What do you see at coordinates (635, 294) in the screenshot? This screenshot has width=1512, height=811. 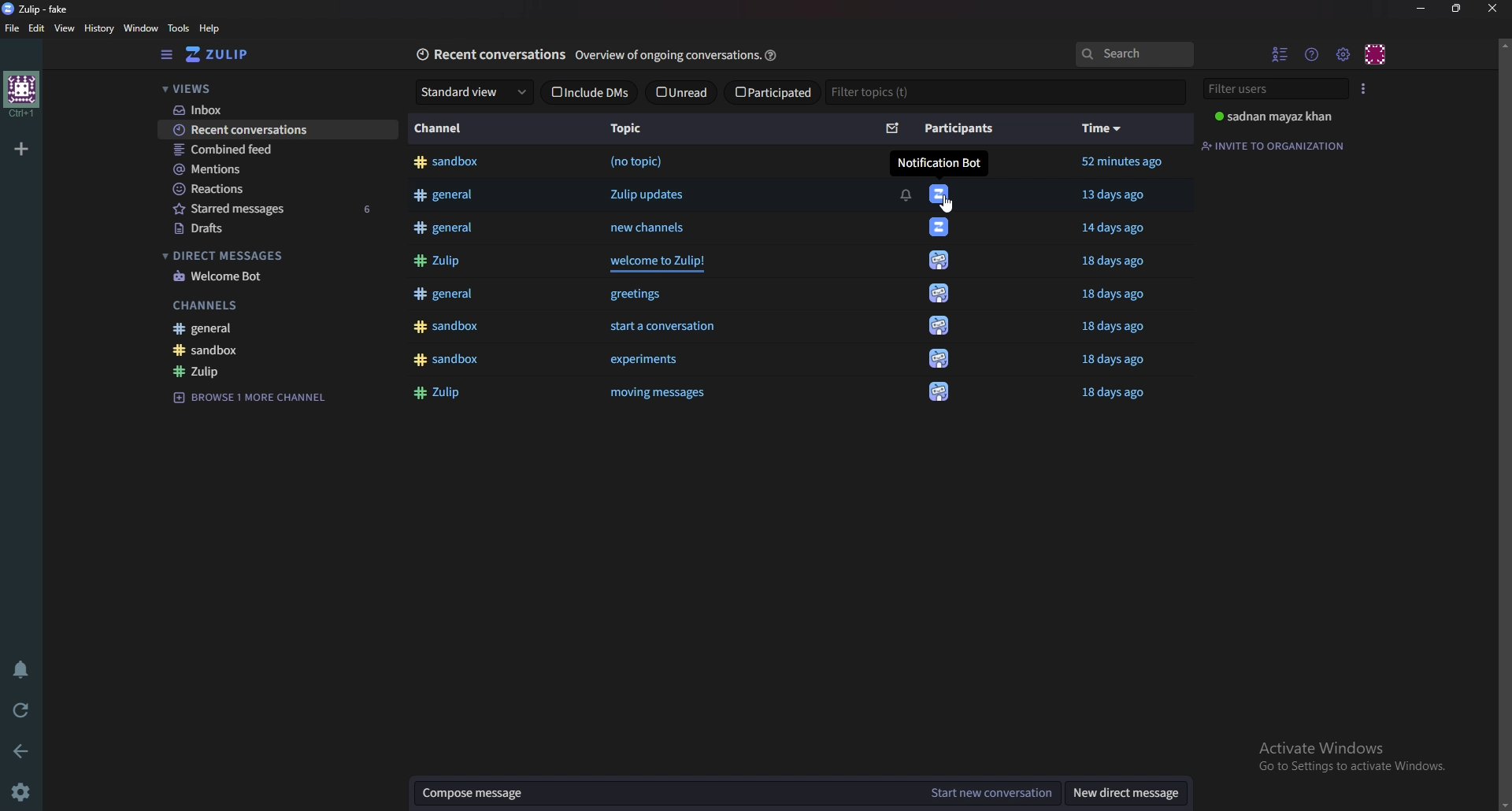 I see `greetings` at bounding box center [635, 294].